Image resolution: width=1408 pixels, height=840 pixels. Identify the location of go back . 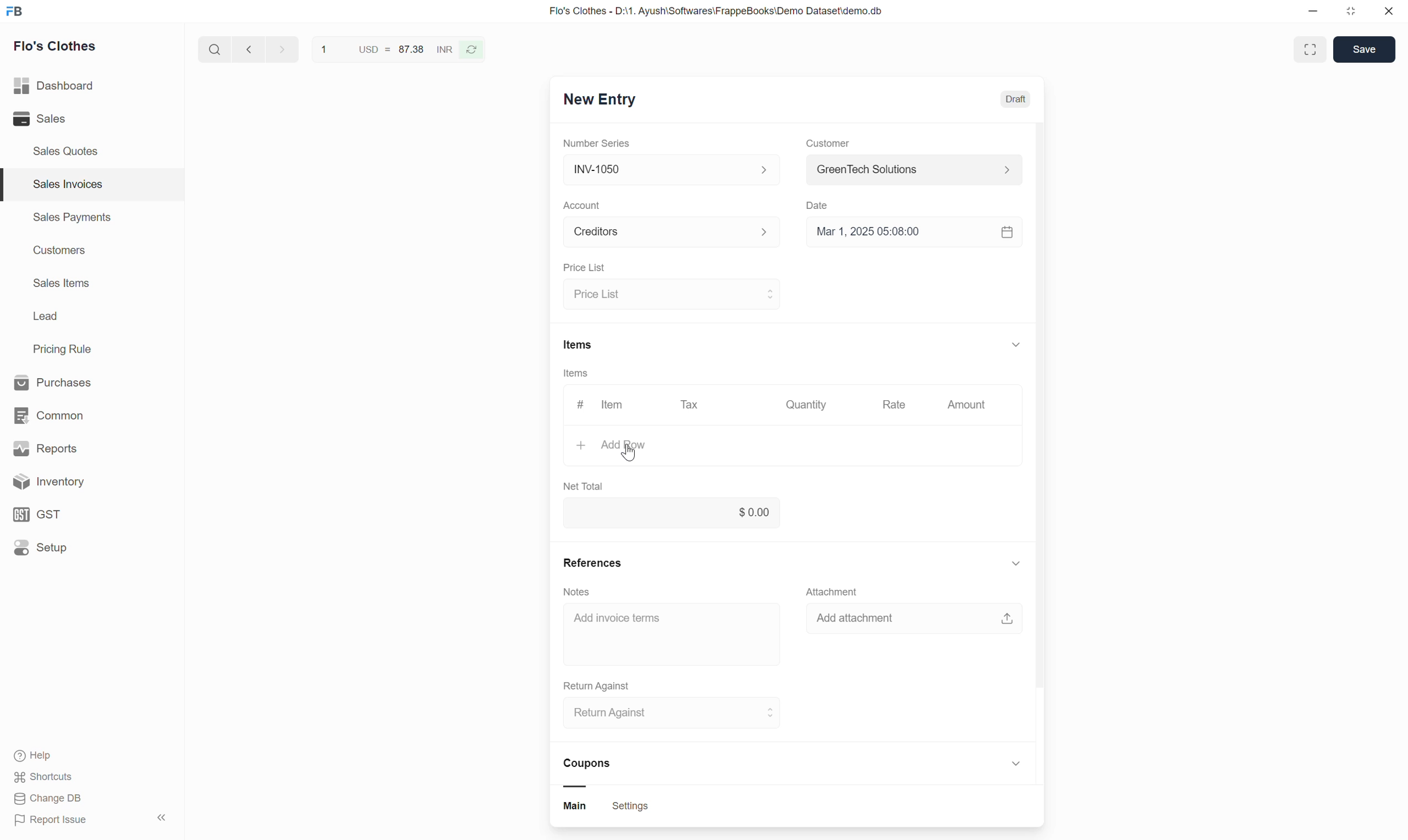
(248, 52).